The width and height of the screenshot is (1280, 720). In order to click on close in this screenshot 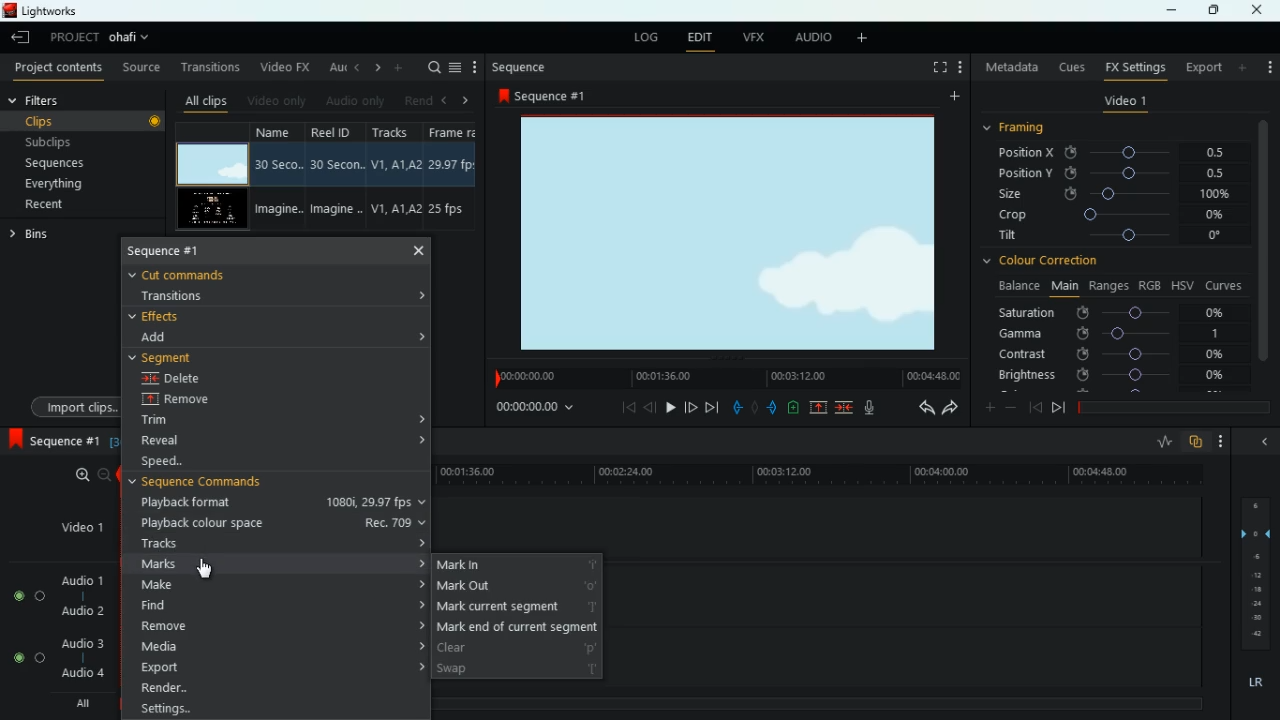, I will do `click(411, 250)`.